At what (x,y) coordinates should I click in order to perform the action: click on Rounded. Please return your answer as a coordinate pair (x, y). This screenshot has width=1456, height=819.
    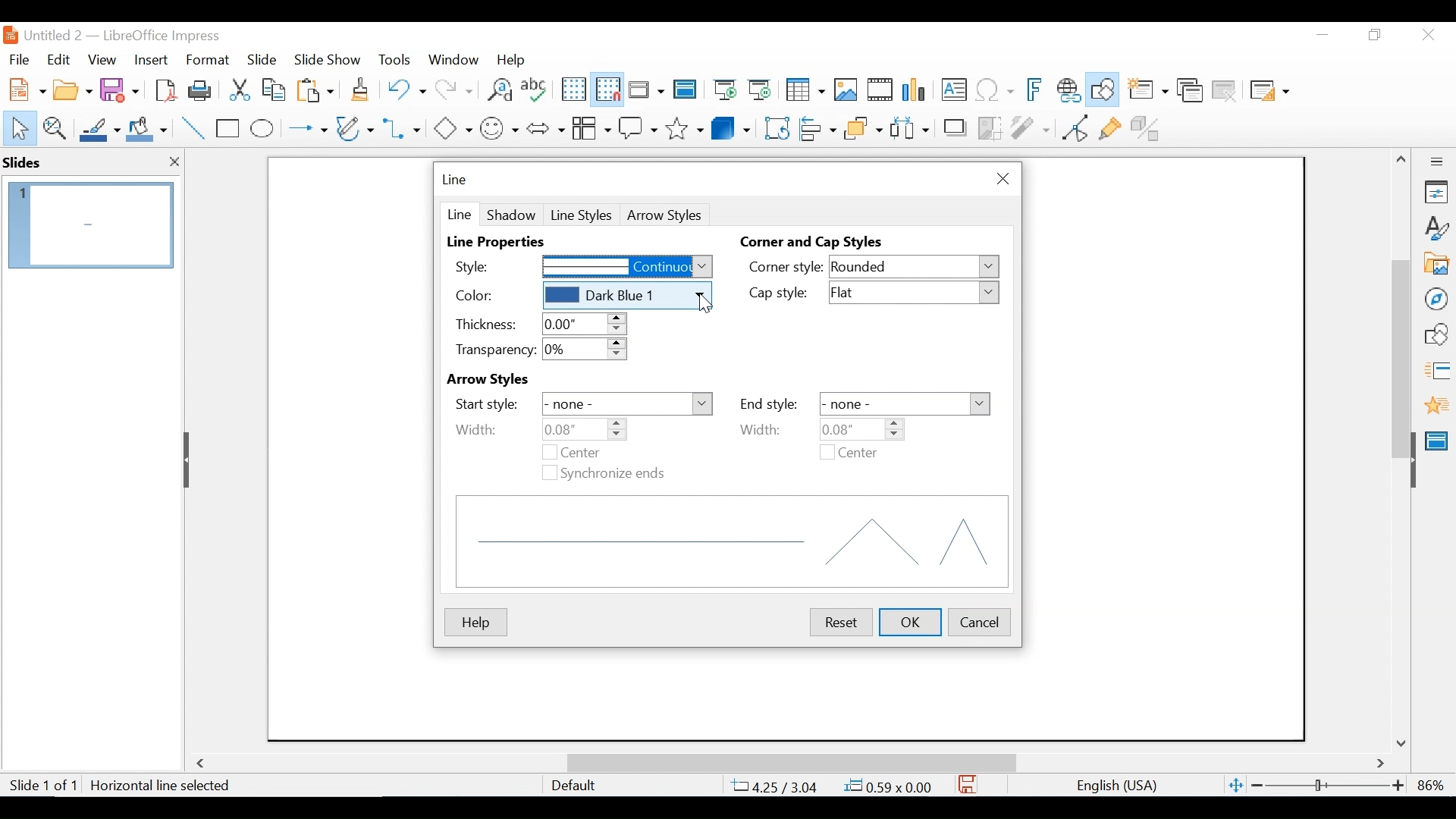
    Looking at the image, I should click on (915, 268).